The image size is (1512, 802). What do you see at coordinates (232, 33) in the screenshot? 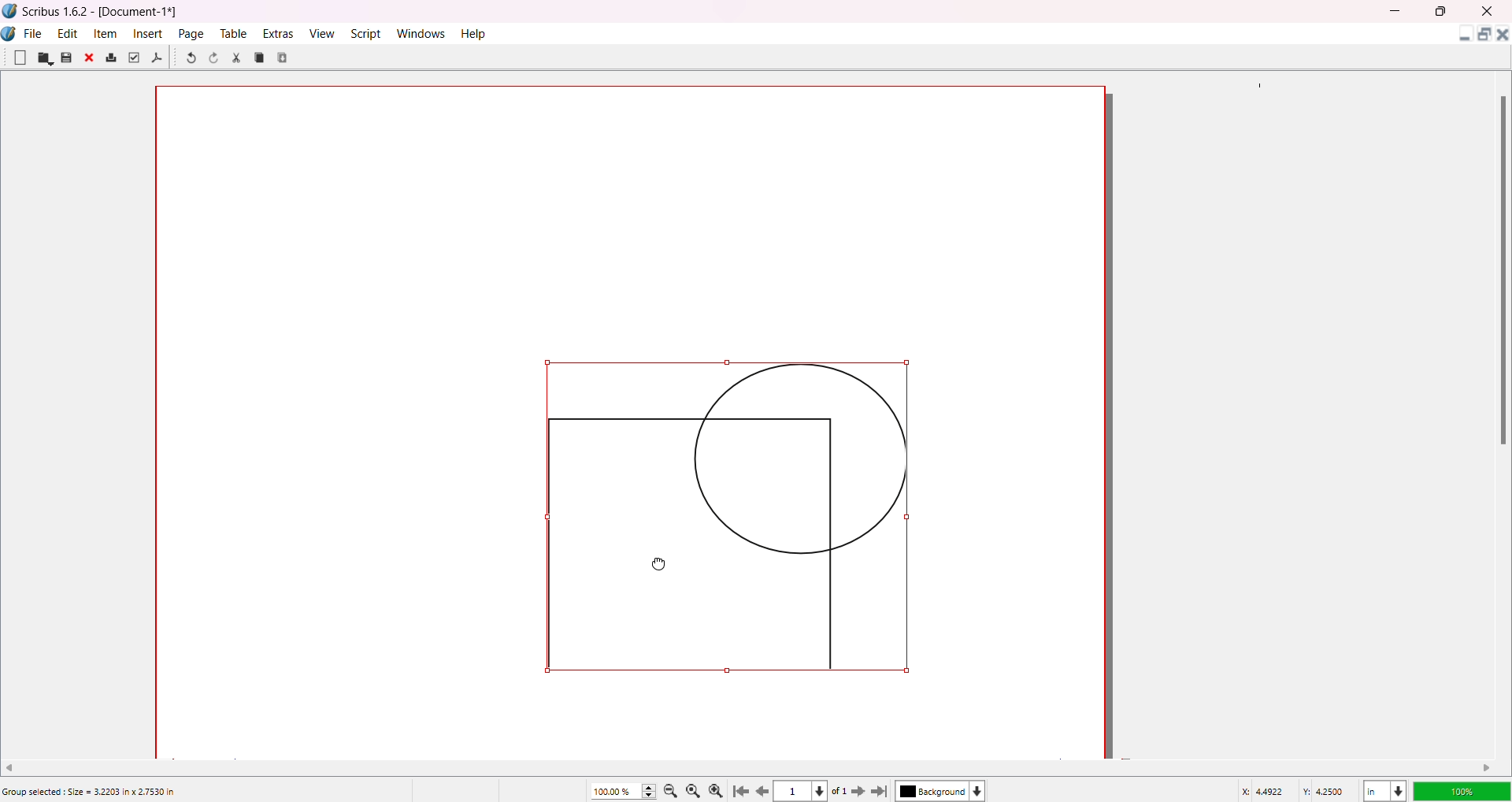
I see `Table` at bounding box center [232, 33].